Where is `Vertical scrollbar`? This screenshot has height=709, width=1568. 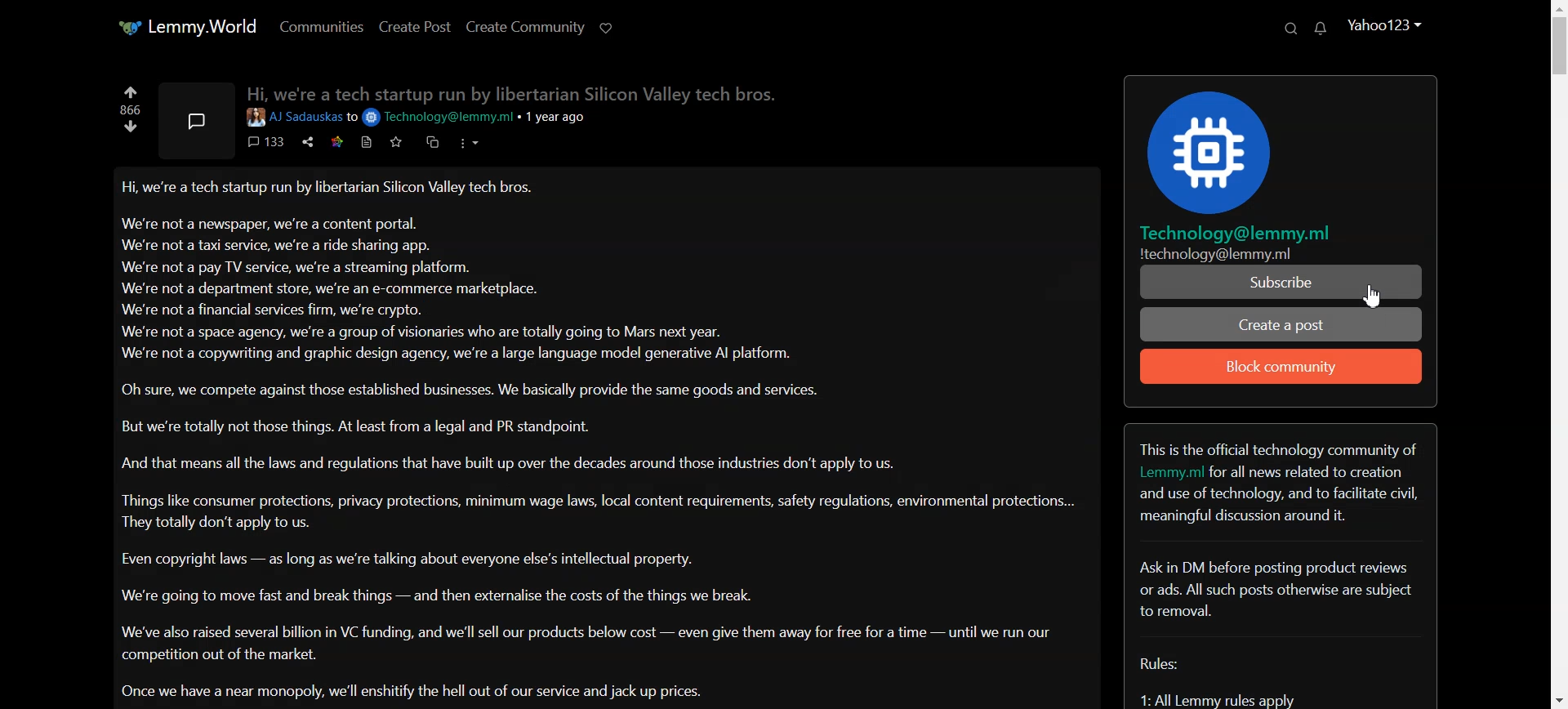 Vertical scrollbar is located at coordinates (1558, 354).